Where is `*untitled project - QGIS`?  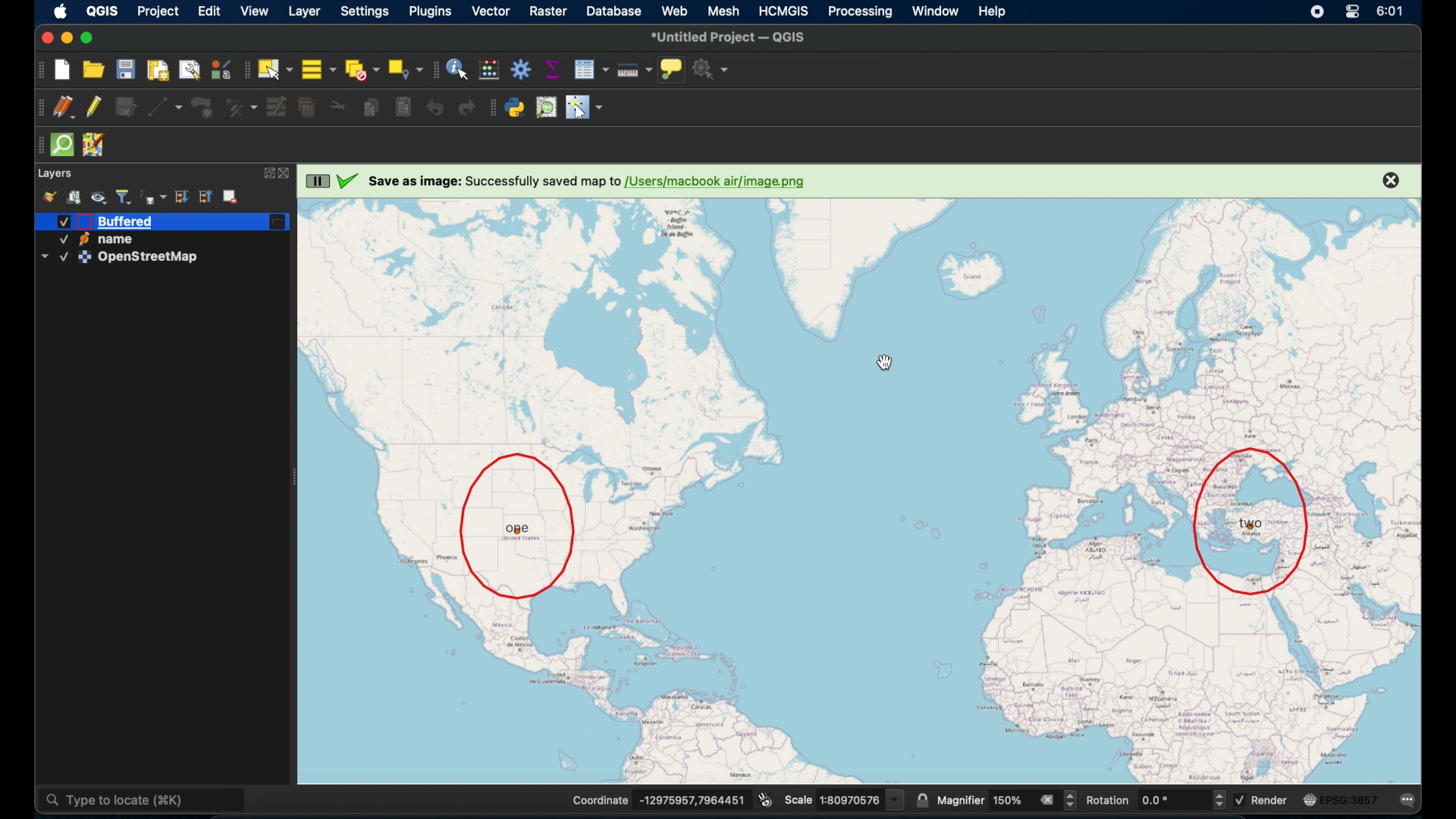 *untitled project - QGIS is located at coordinates (732, 37).